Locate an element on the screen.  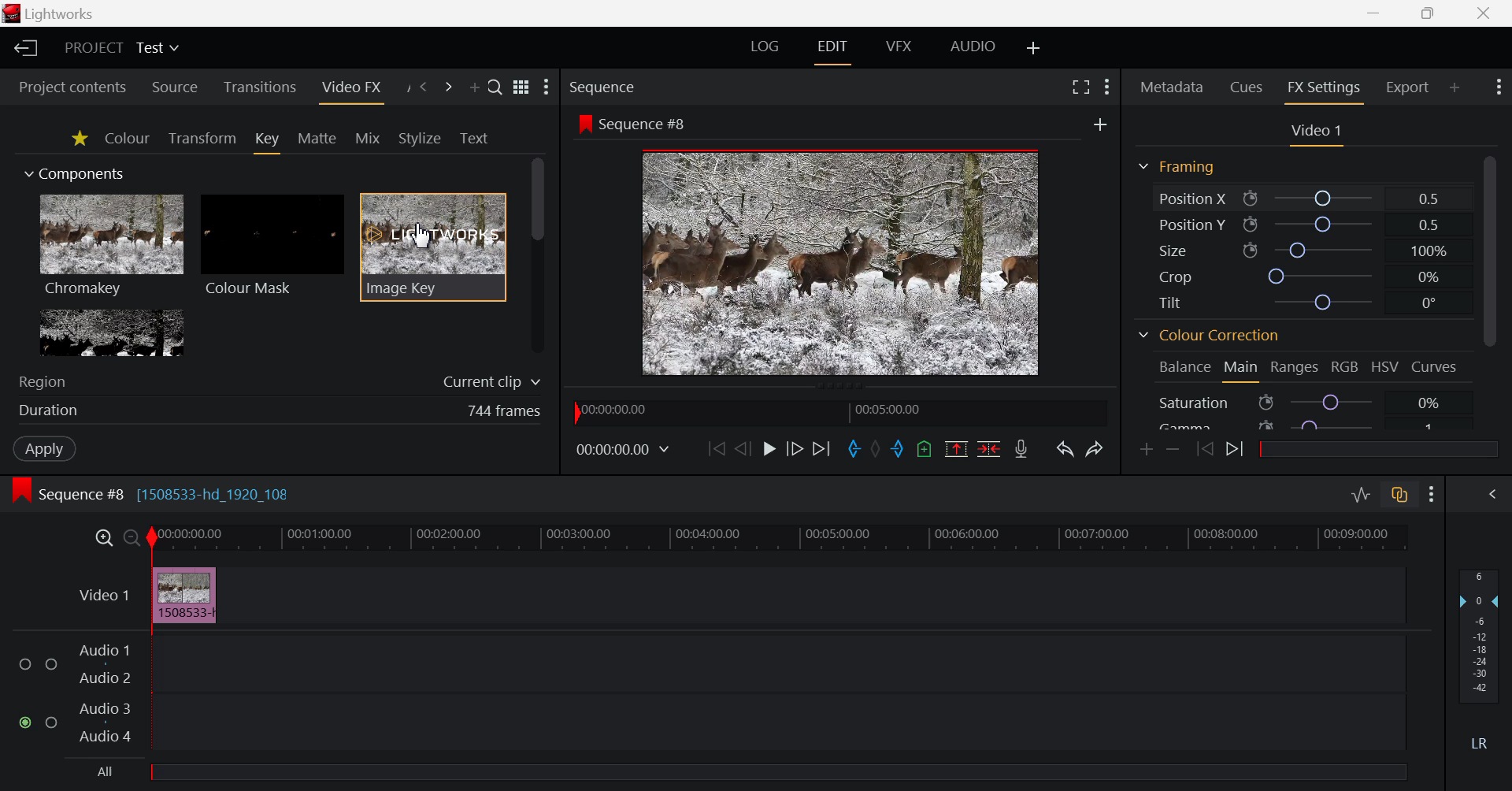
Project contents is located at coordinates (65, 85).